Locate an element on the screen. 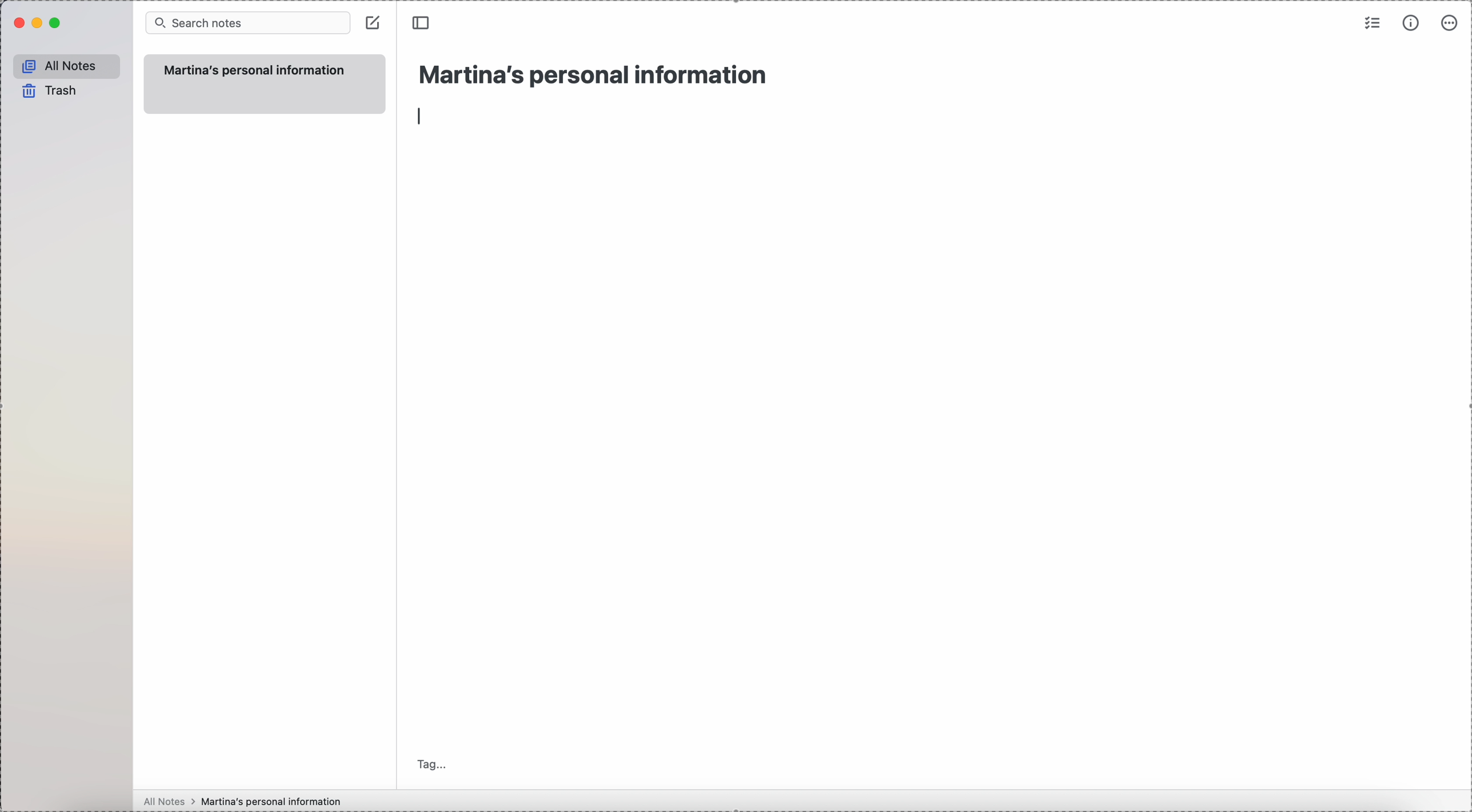 This screenshot has width=1472, height=812. close Simplenote is located at coordinates (18, 24).